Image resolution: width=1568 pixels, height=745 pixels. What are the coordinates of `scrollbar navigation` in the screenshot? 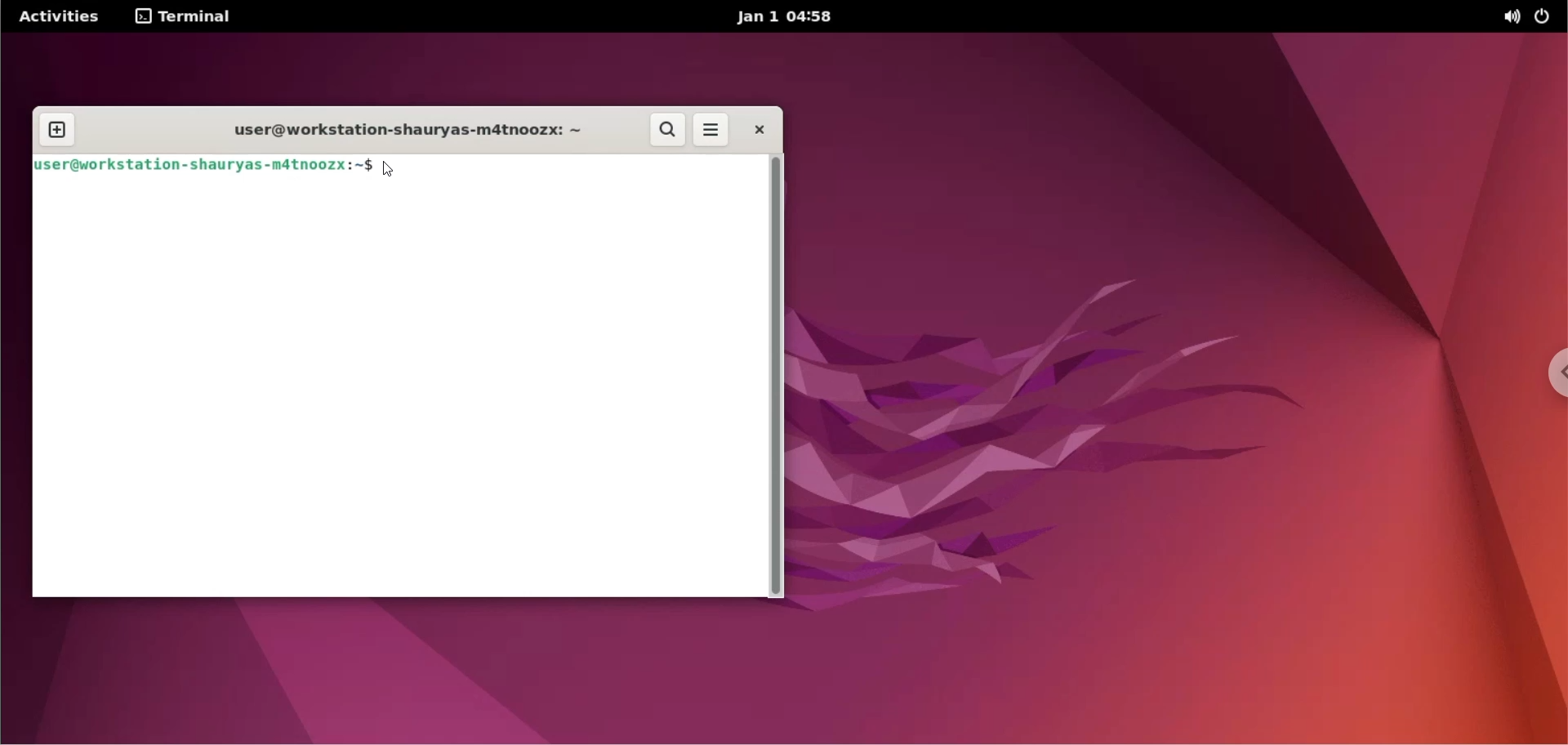 It's located at (777, 375).